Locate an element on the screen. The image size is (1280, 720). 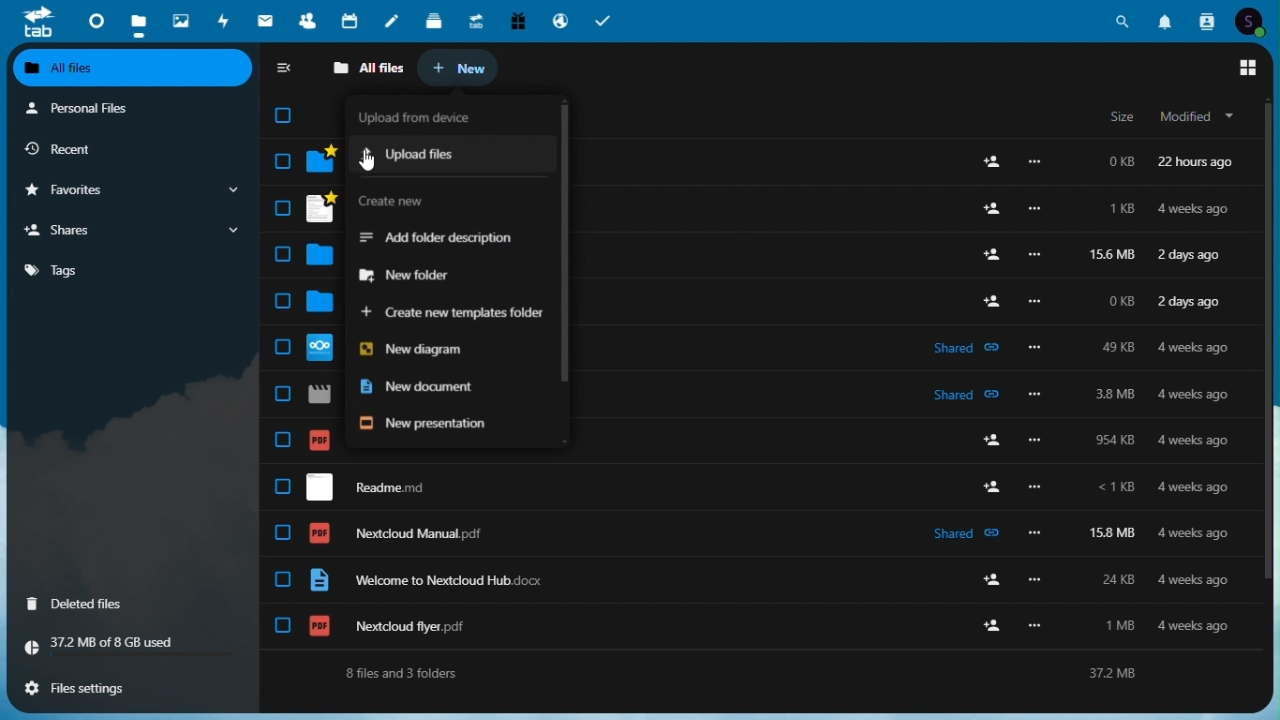
New document is located at coordinates (444, 389).